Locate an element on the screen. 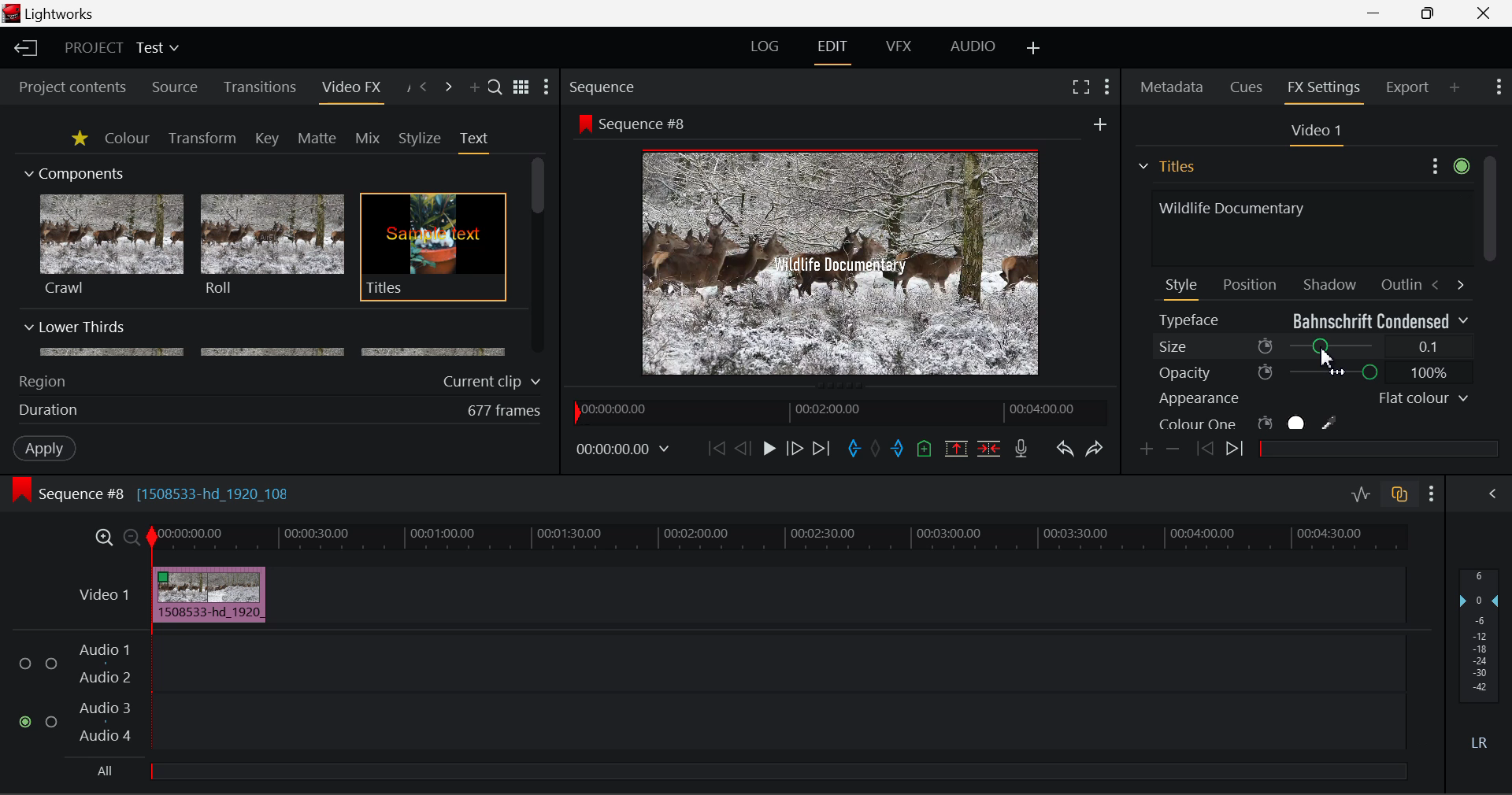 The width and height of the screenshot is (1512, 795). VFX Layout is located at coordinates (898, 46).